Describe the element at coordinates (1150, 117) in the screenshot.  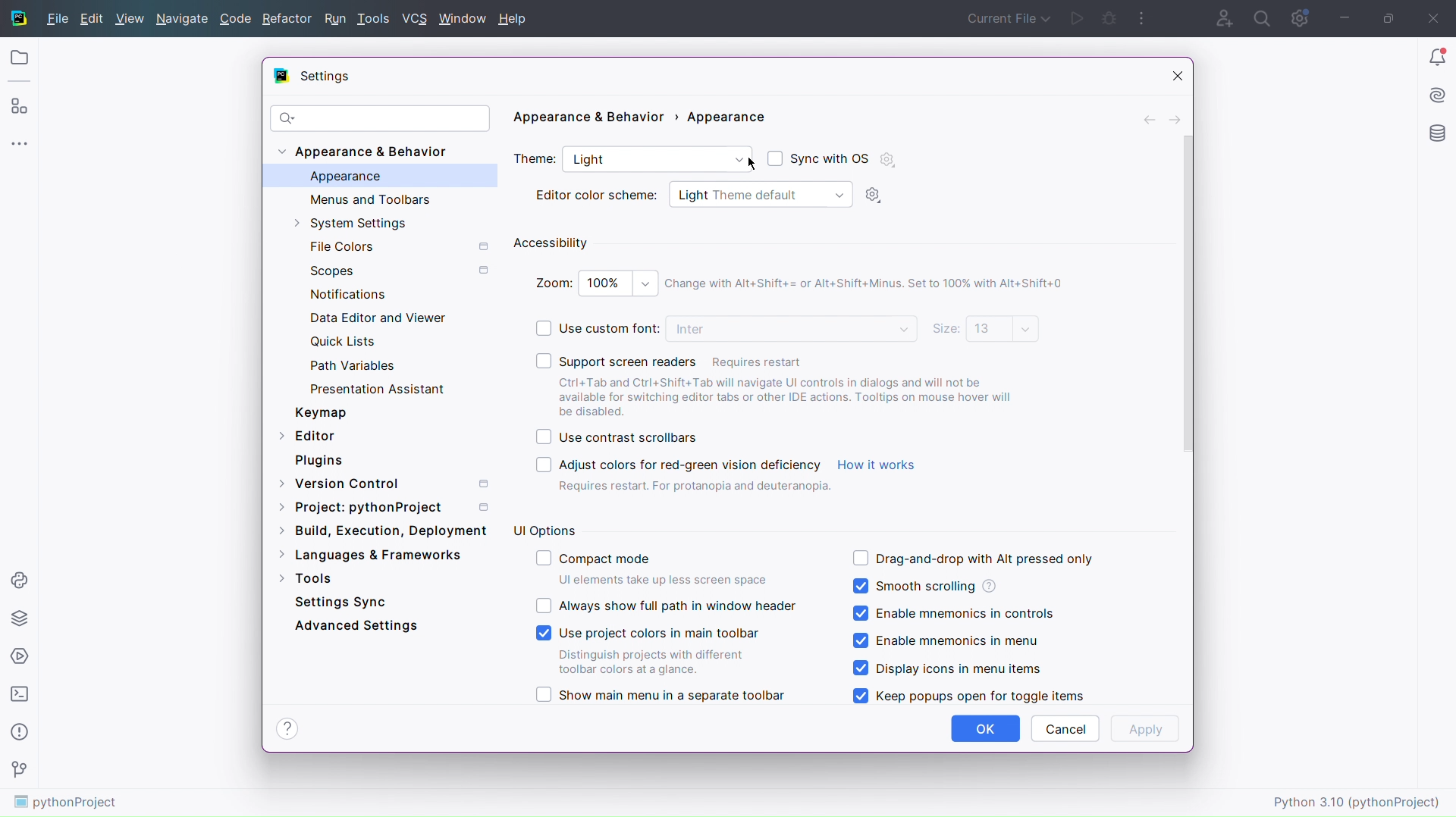
I see `Back` at that location.